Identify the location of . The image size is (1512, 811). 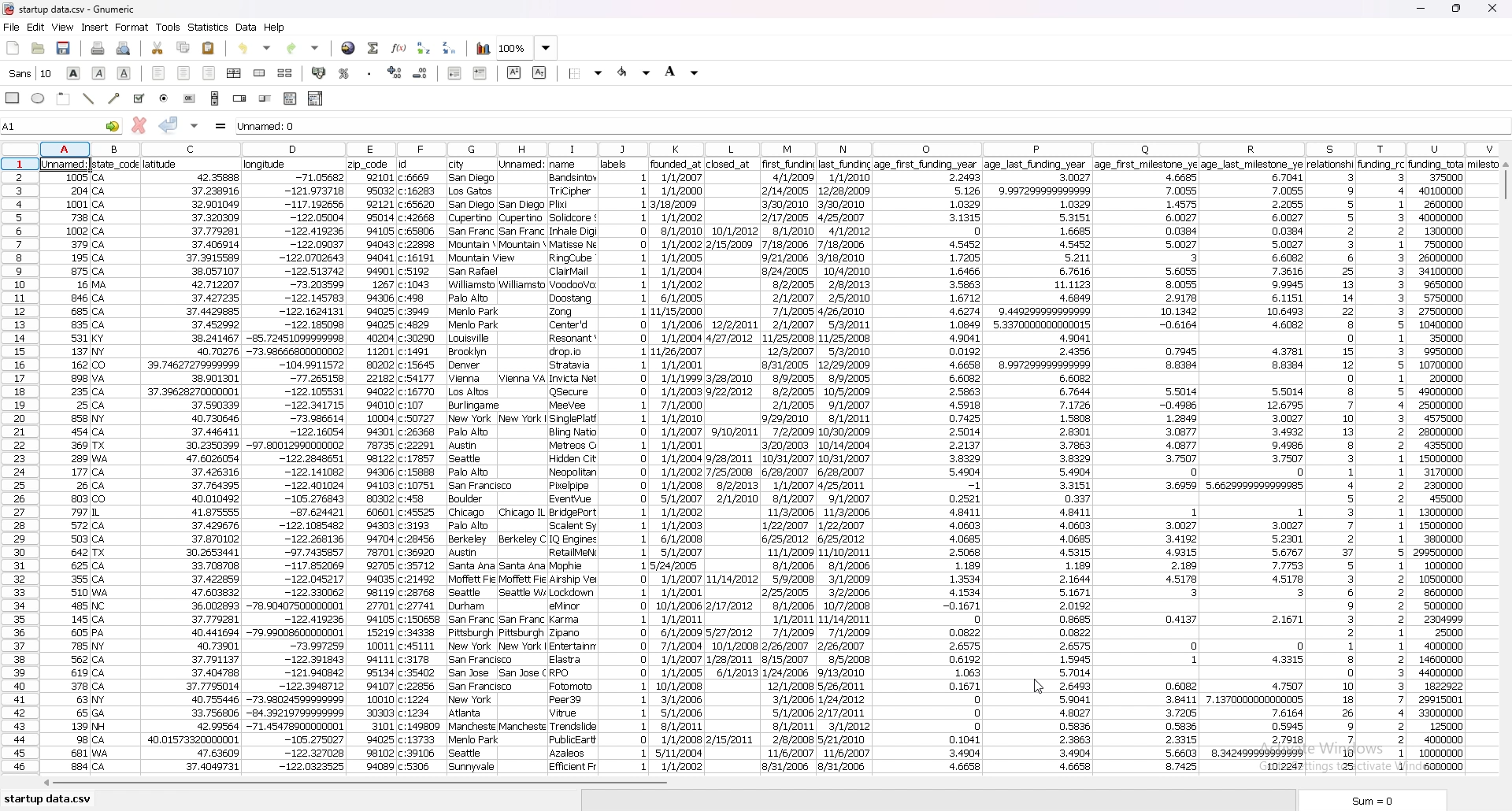
(117, 466).